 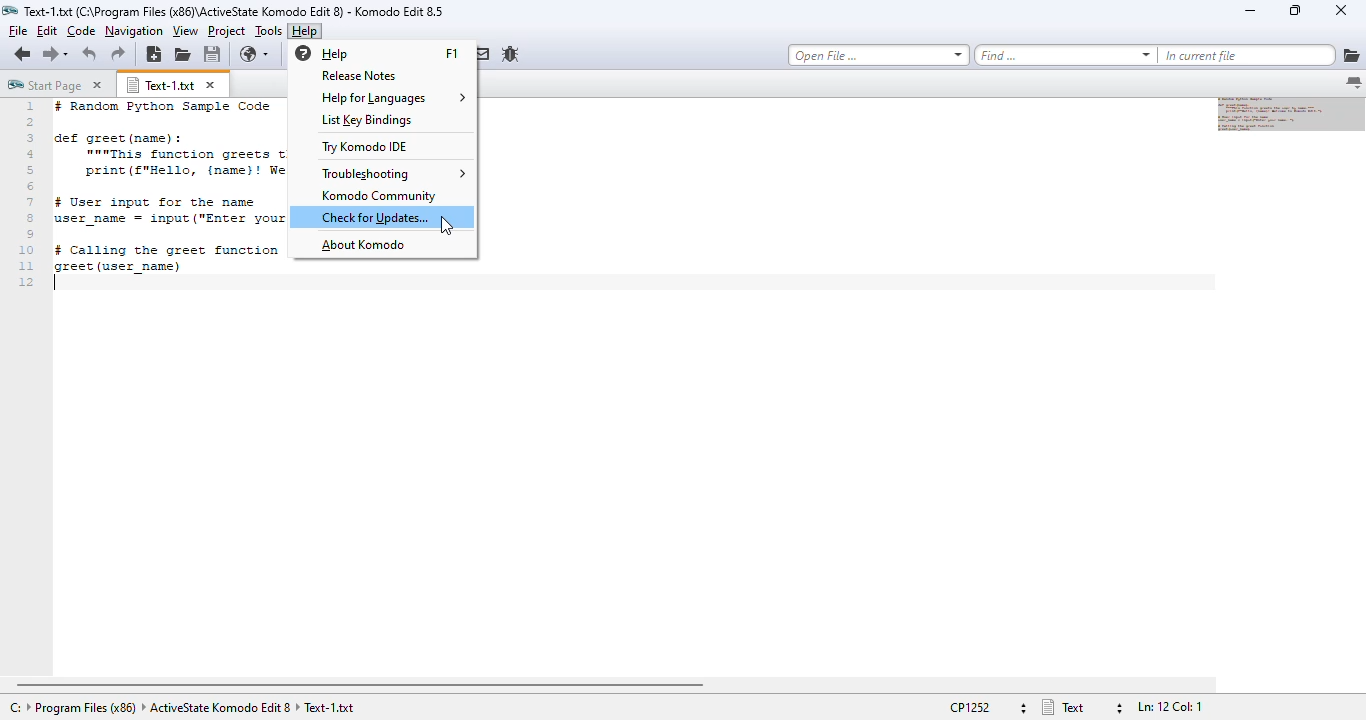 What do you see at coordinates (1065, 55) in the screenshot?
I see `find` at bounding box center [1065, 55].